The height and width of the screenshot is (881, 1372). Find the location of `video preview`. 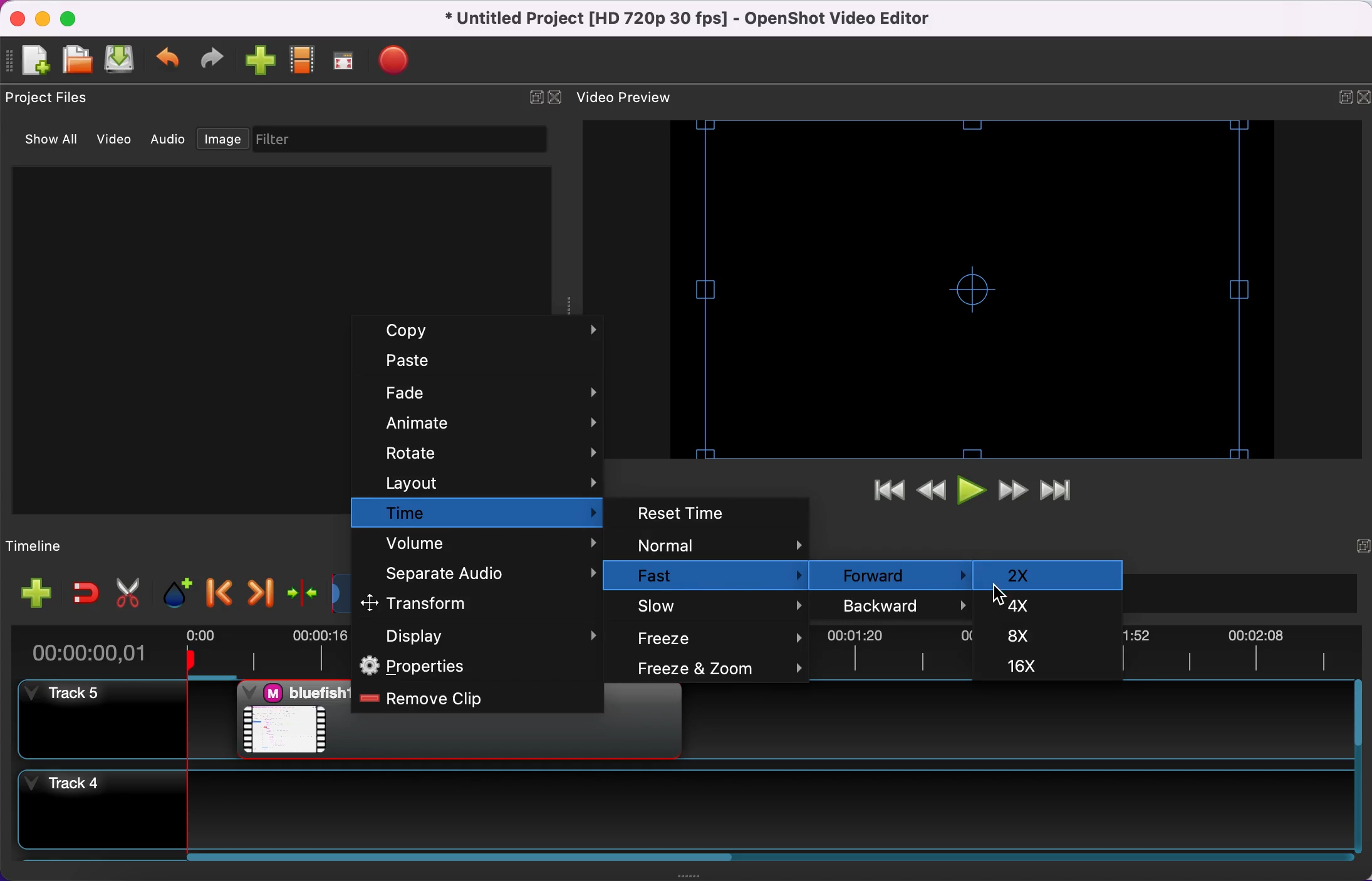

video preview is located at coordinates (970, 290).